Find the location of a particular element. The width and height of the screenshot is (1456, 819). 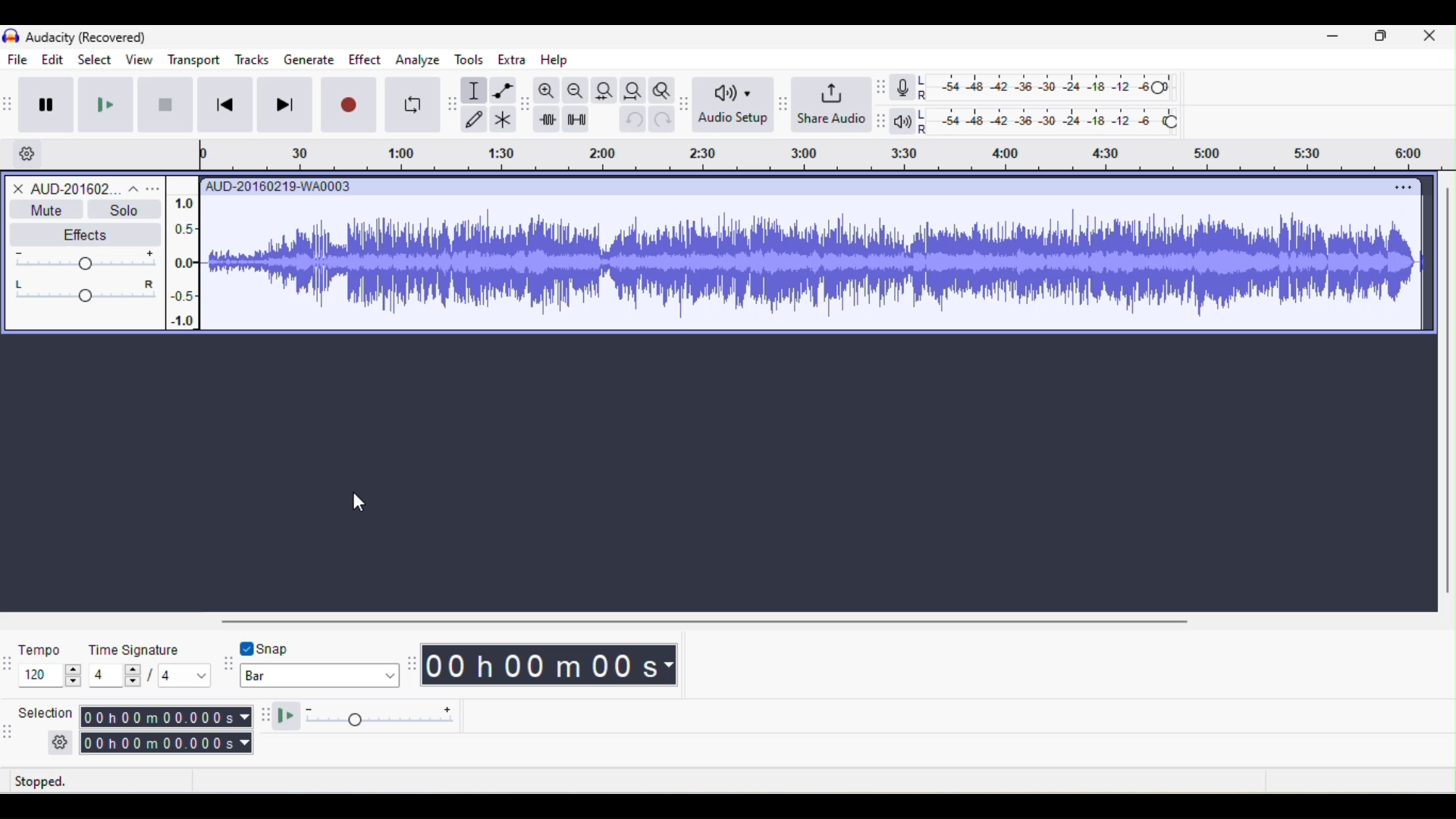

envelope tool is located at coordinates (501, 91).